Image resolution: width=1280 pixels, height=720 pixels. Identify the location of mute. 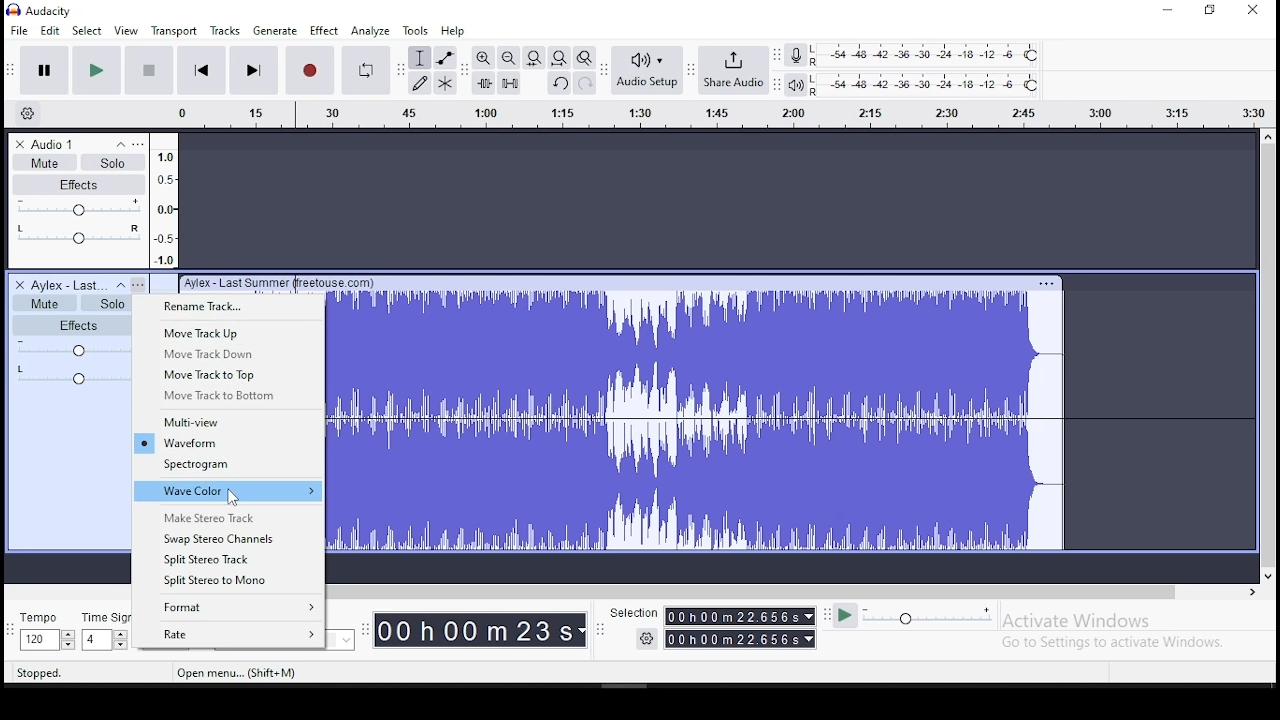
(43, 302).